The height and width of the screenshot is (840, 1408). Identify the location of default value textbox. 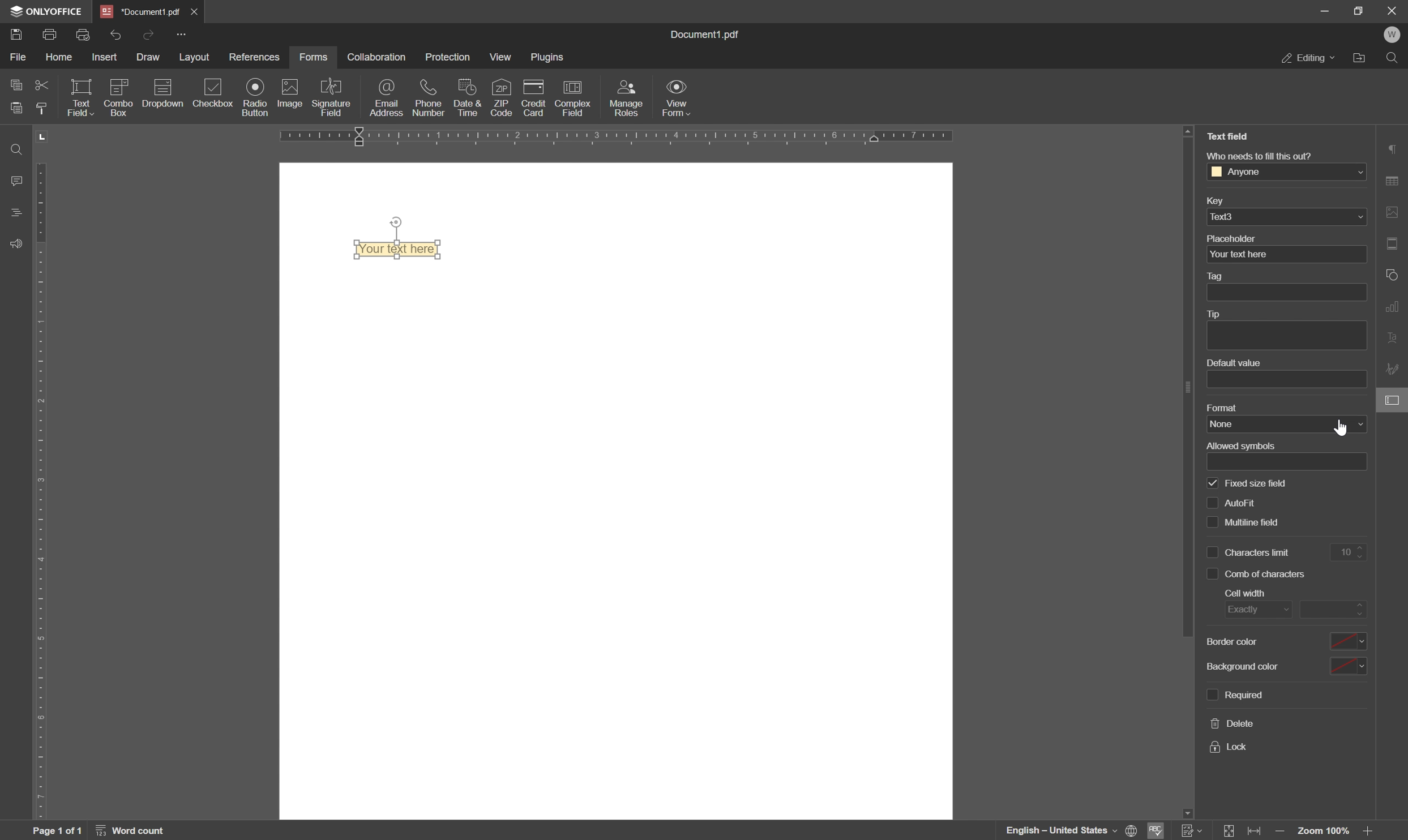
(1289, 379).